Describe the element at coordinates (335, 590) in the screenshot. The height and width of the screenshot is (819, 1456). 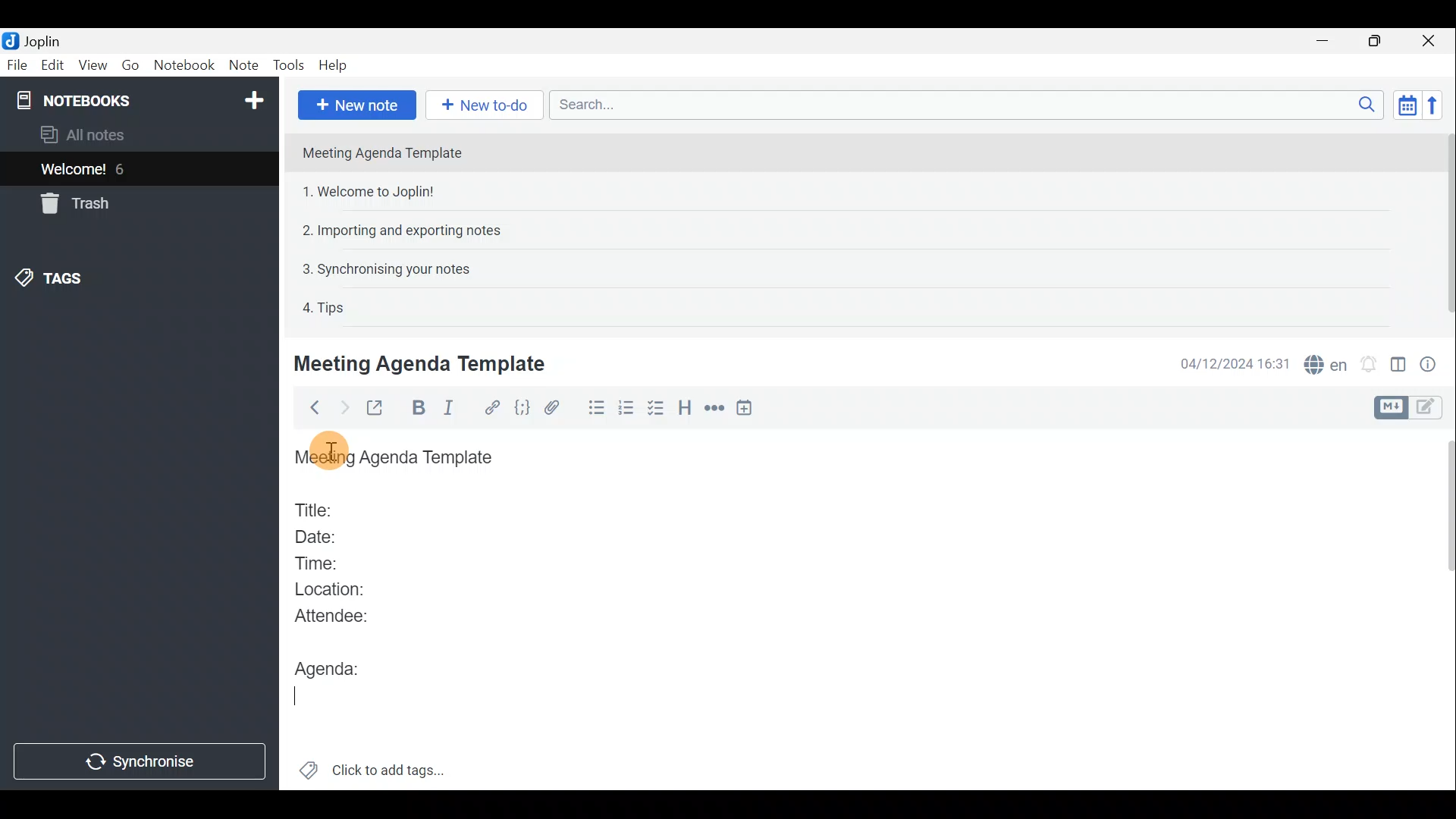
I see `Location:` at that location.